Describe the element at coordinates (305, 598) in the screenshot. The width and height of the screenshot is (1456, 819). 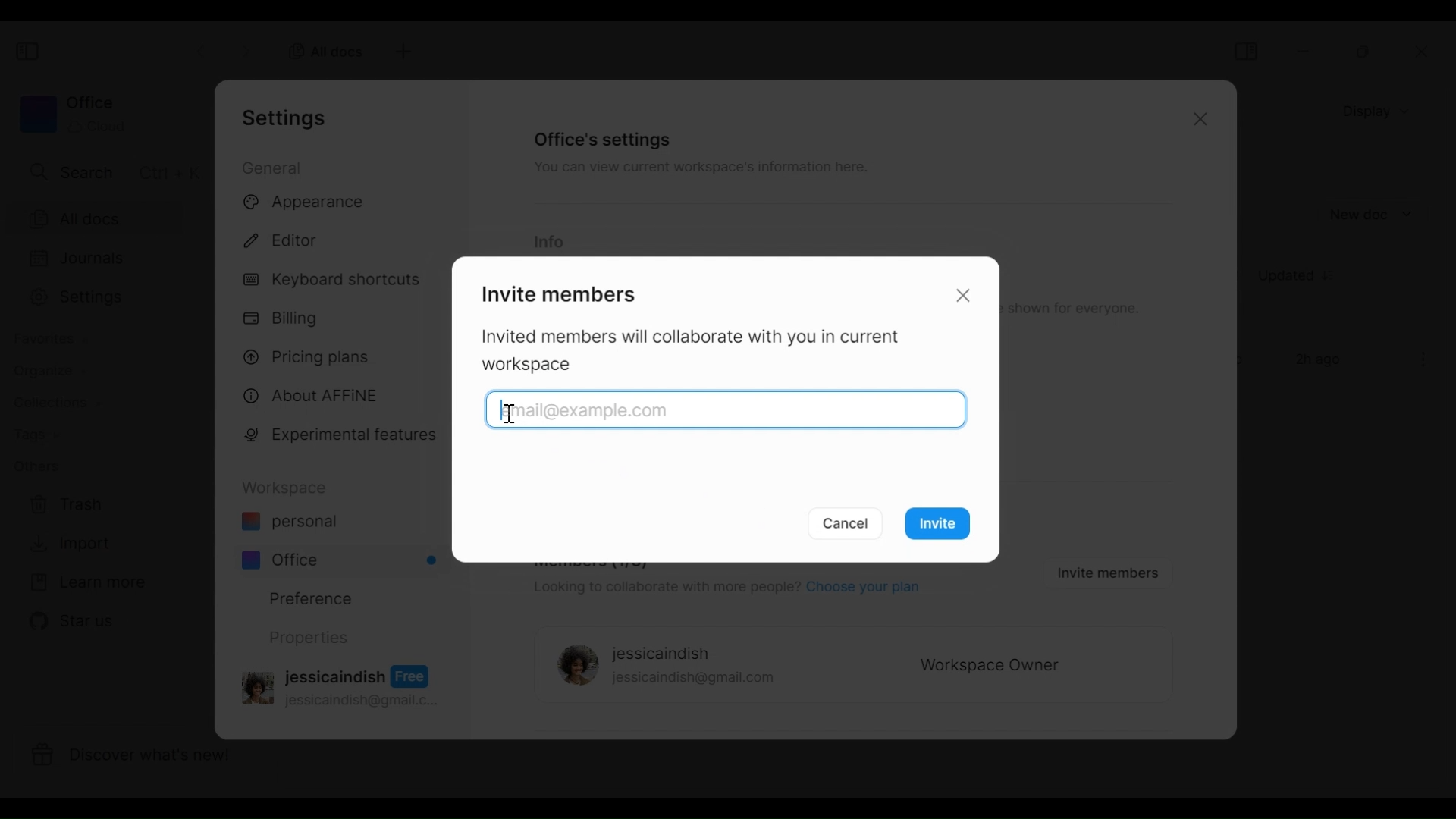
I see `Preference` at that location.